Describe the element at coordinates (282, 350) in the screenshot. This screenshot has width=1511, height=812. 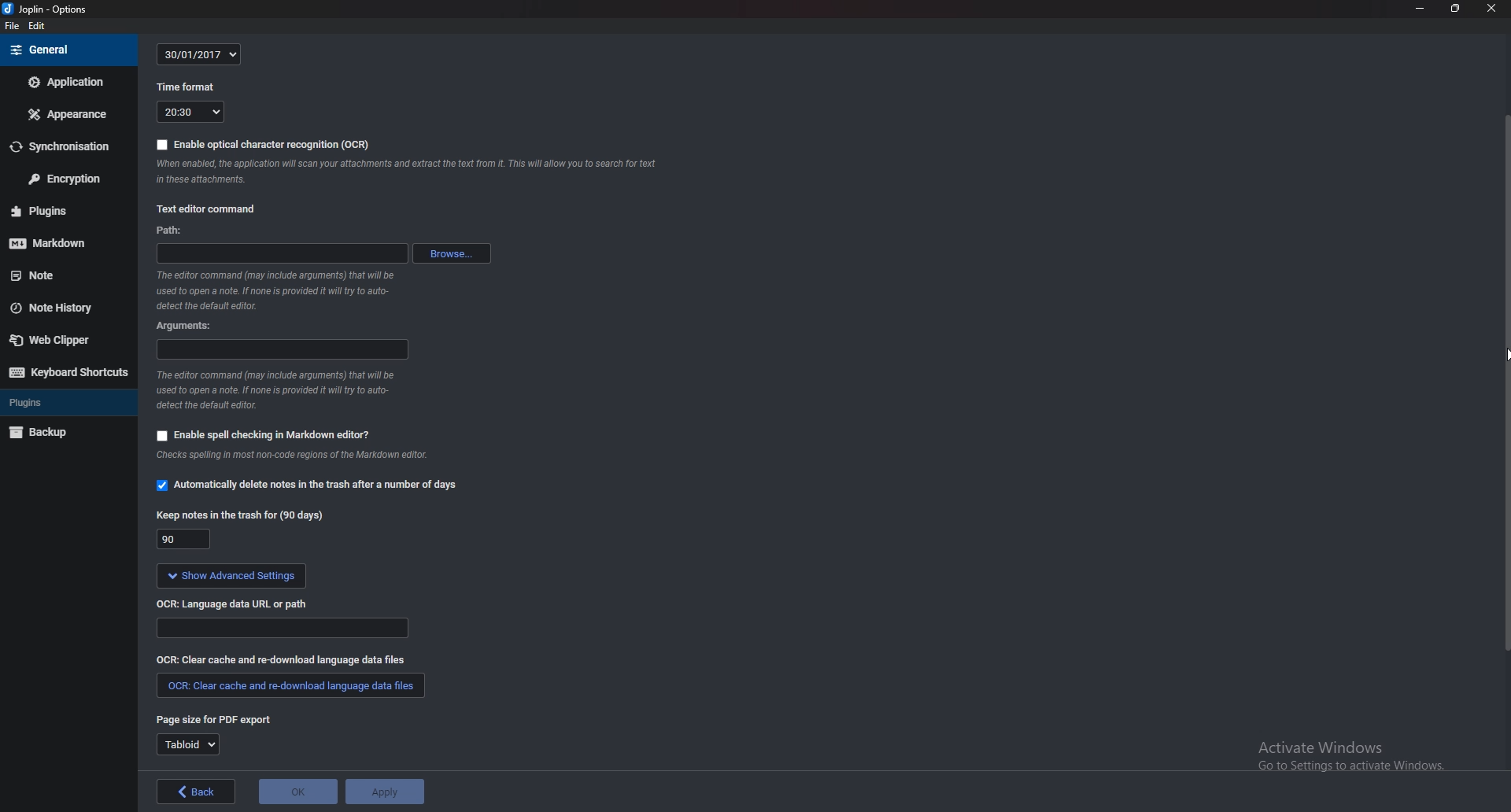
I see `argument` at that location.